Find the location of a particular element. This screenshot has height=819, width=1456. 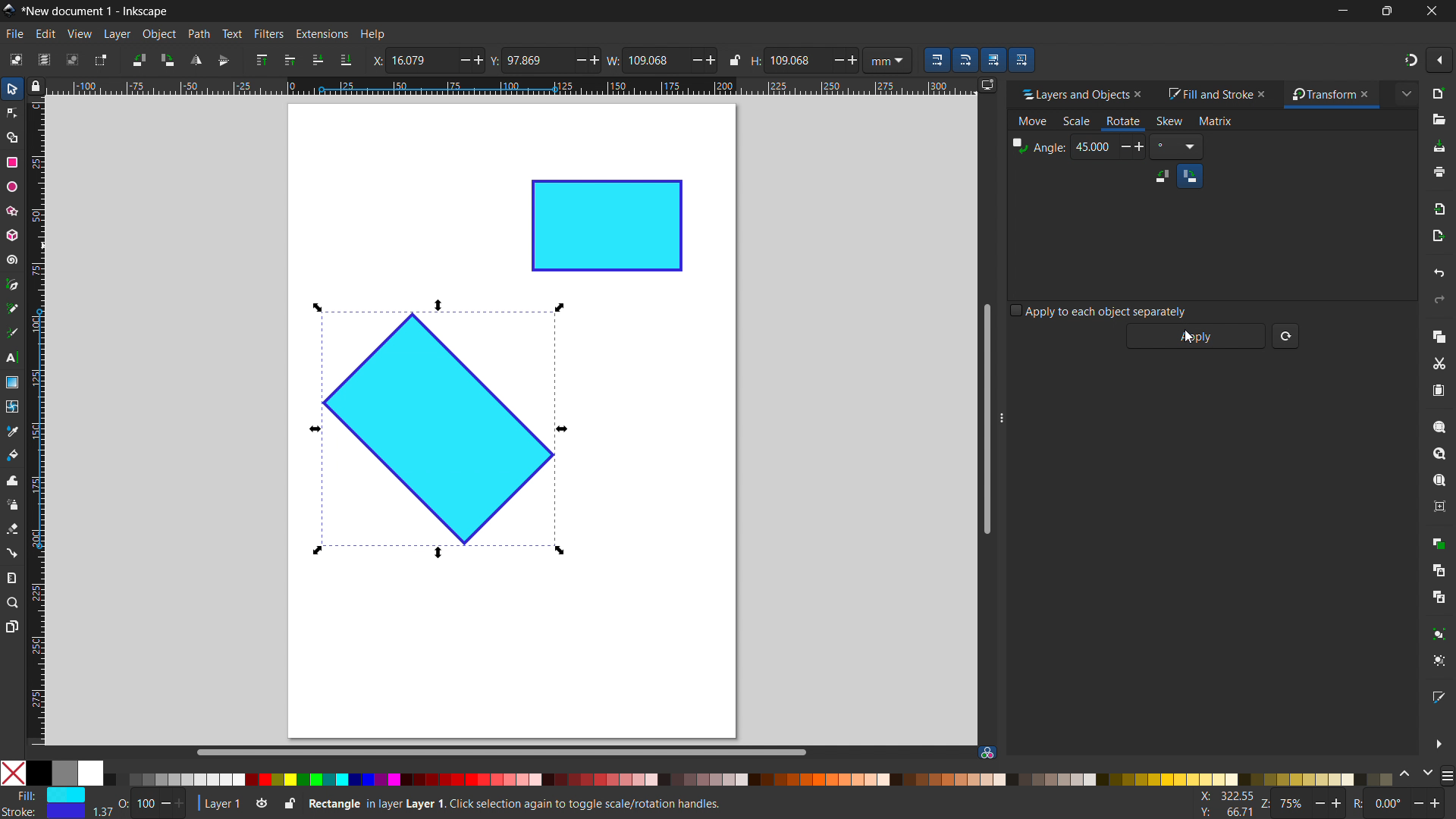

toggle lock current layer is located at coordinates (289, 802).